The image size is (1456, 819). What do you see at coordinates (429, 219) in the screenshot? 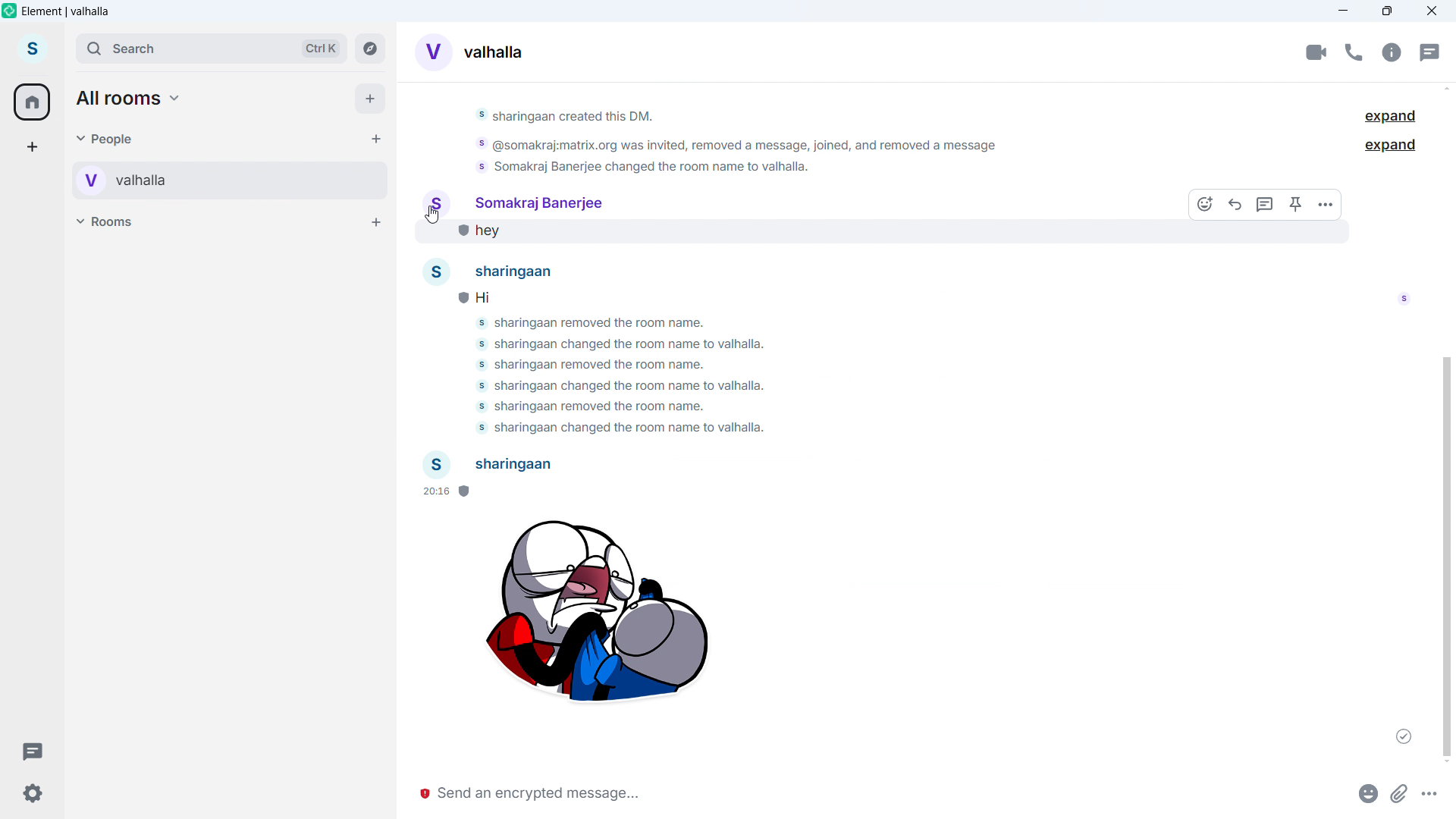
I see `cursor  movement` at bounding box center [429, 219].